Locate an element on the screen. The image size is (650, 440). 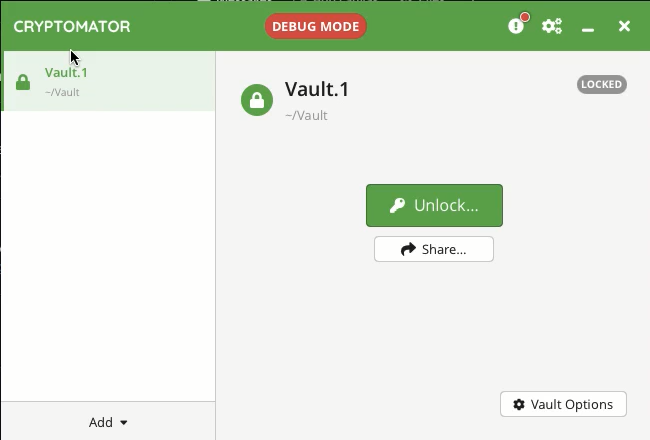
more info is located at coordinates (520, 23).